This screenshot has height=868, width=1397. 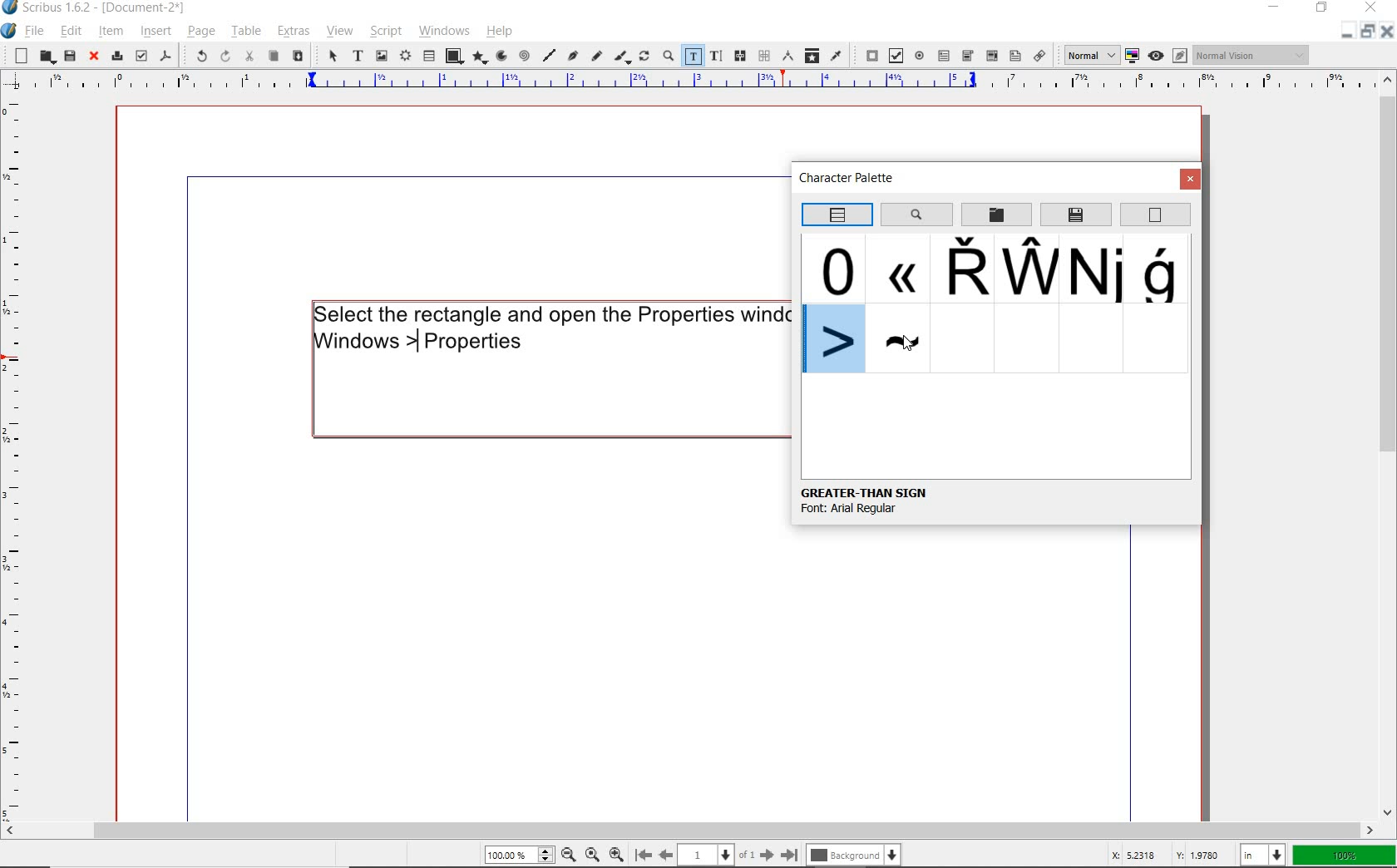 I want to click on page, so click(x=200, y=31).